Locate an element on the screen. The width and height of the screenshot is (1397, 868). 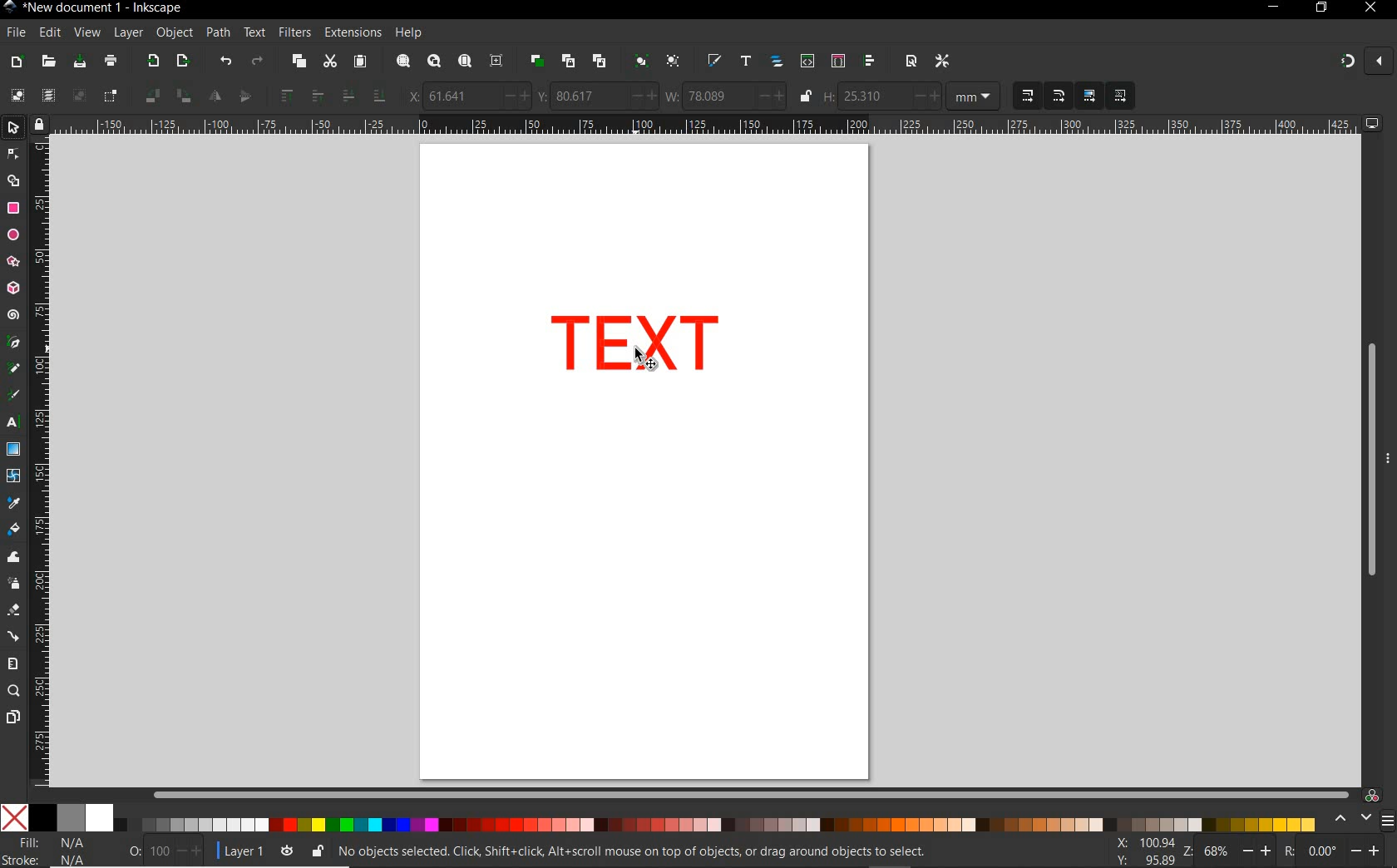
copy is located at coordinates (297, 62).